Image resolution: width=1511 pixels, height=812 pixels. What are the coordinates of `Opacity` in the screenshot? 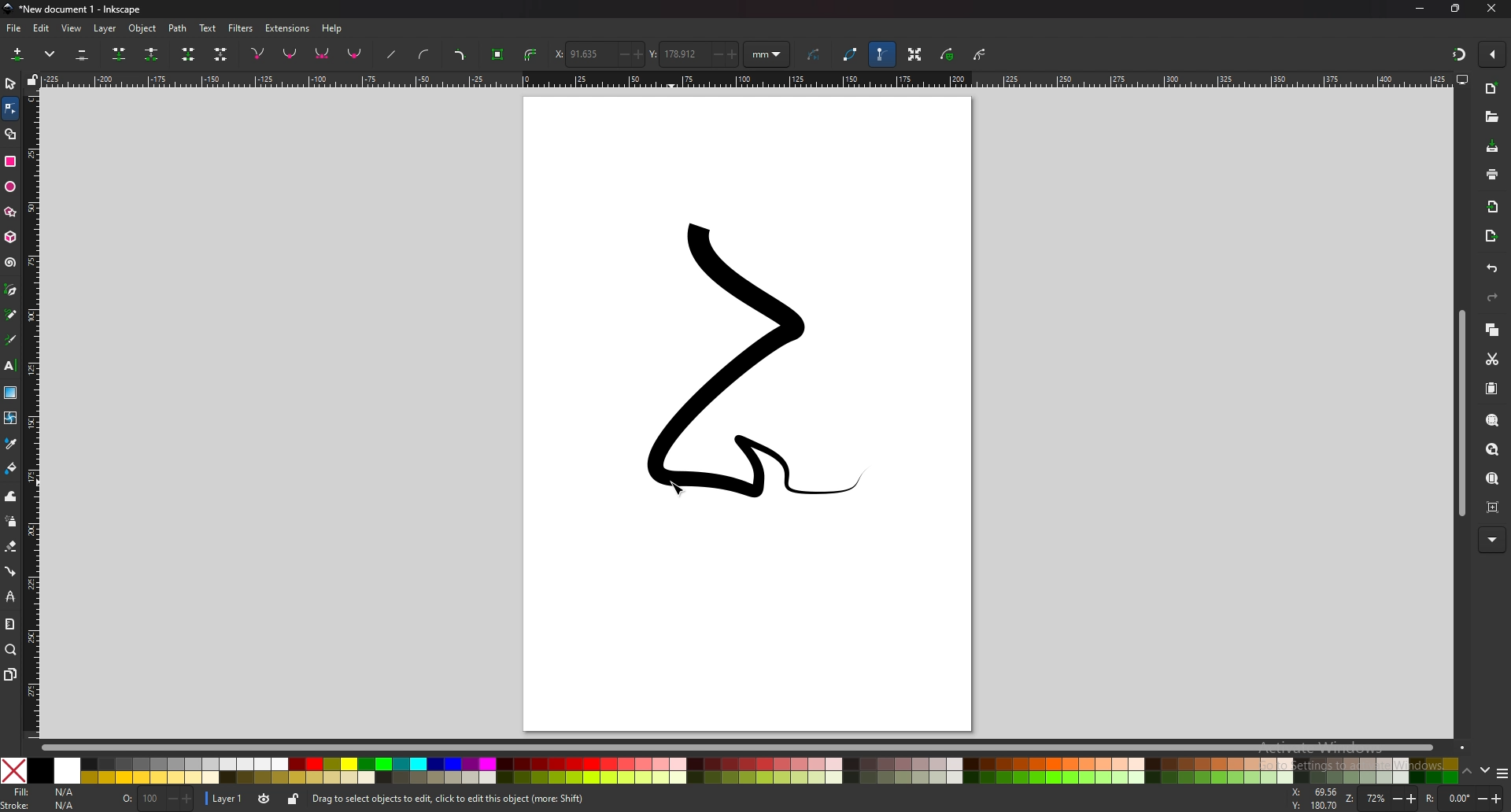 It's located at (157, 799).